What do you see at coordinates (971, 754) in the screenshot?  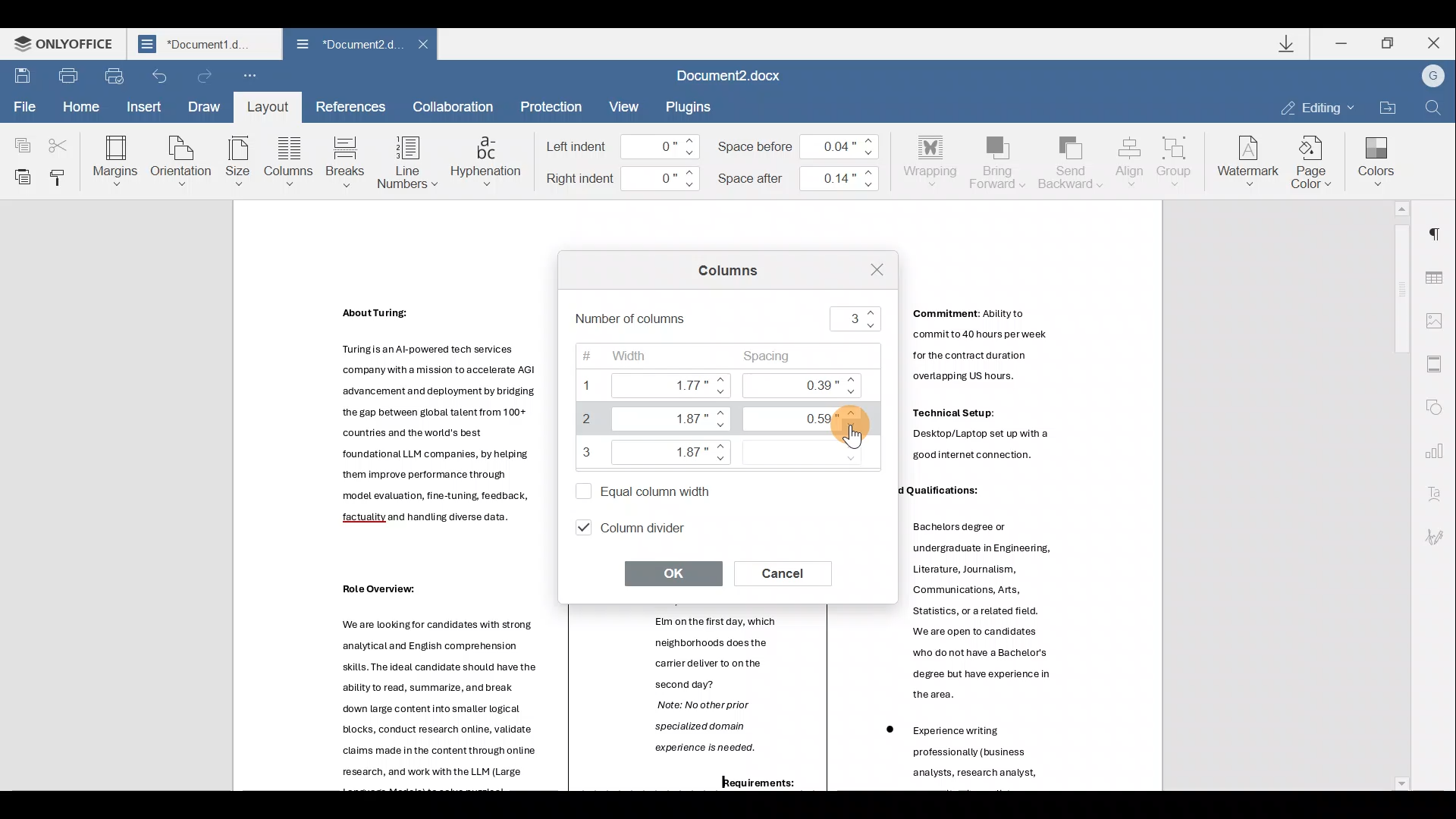 I see `` at bounding box center [971, 754].